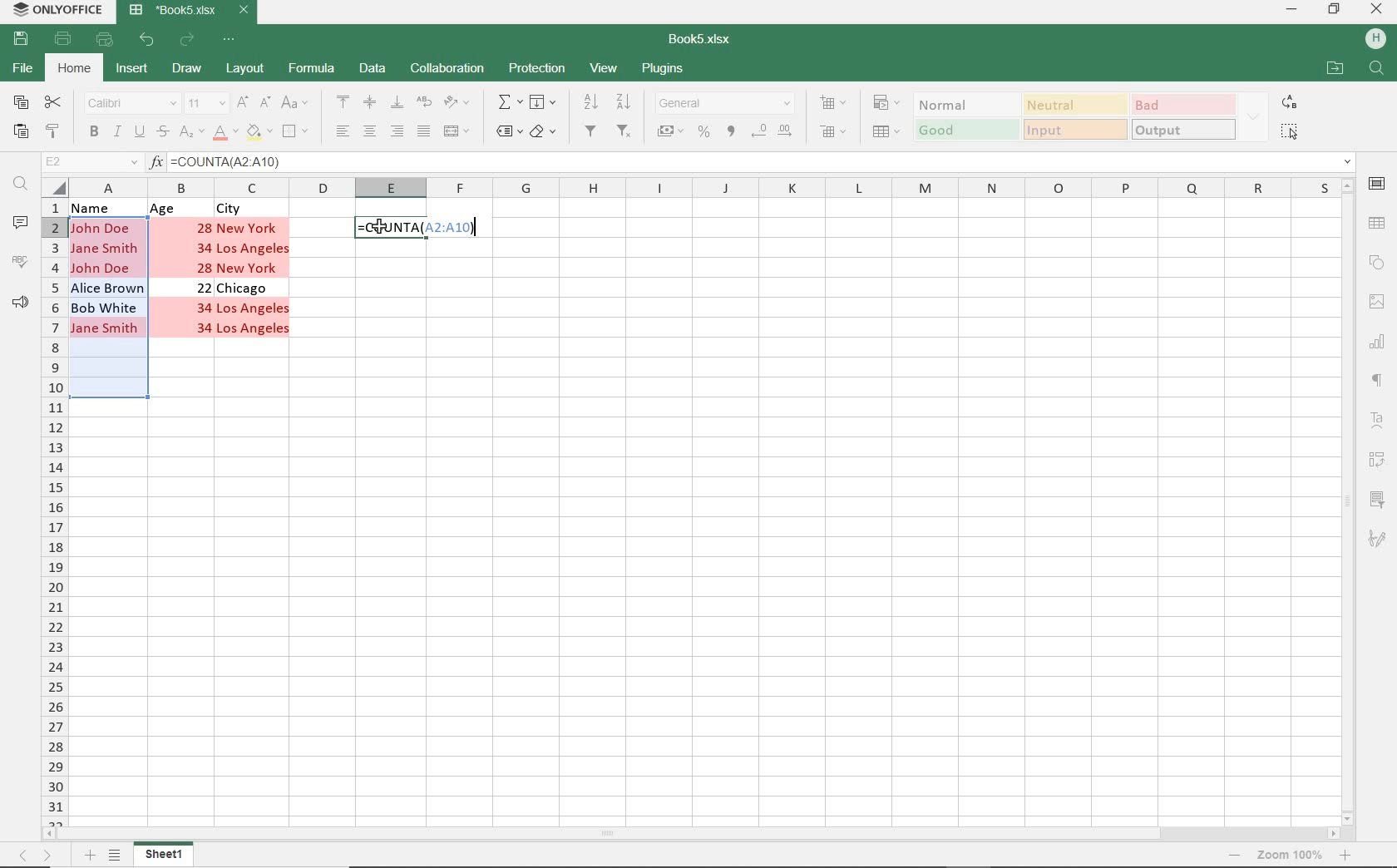  What do you see at coordinates (230, 40) in the screenshot?
I see `CUSTOMIZE QUICK ACCESS TOOLBAR` at bounding box center [230, 40].